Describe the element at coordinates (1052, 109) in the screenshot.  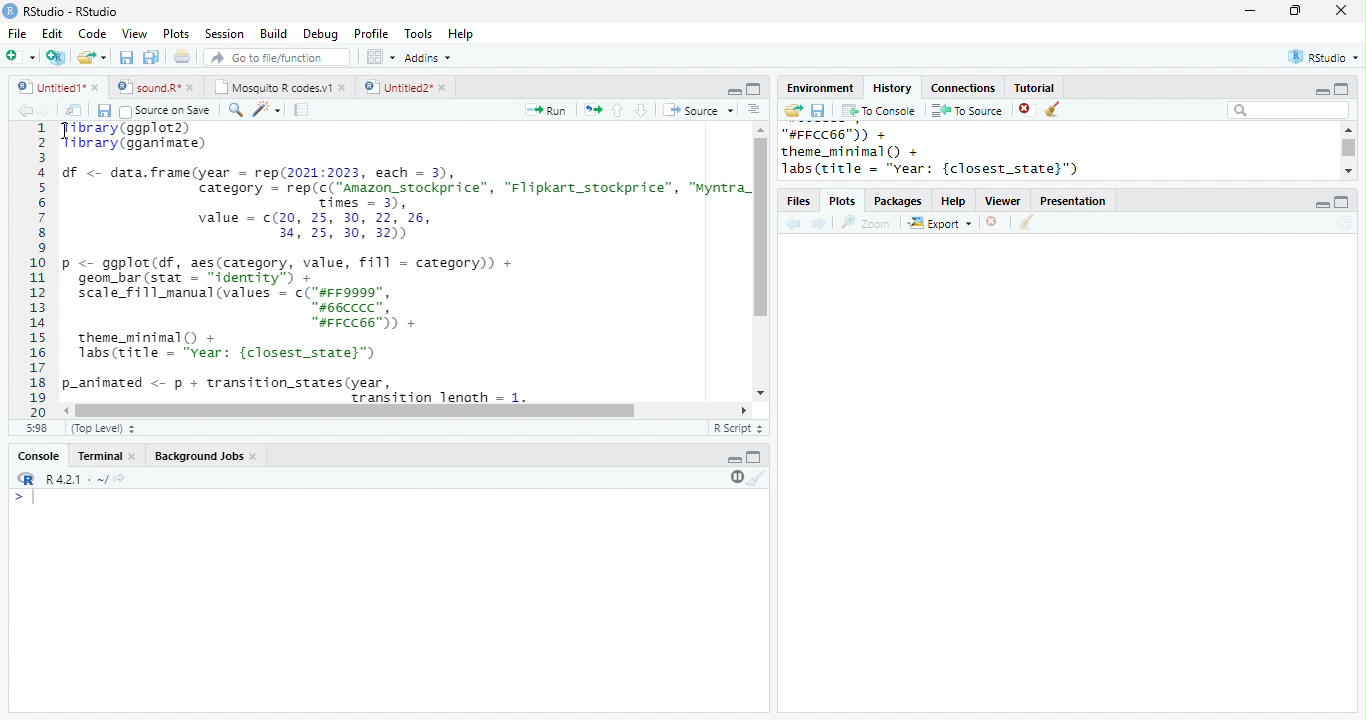
I see `clear` at that location.